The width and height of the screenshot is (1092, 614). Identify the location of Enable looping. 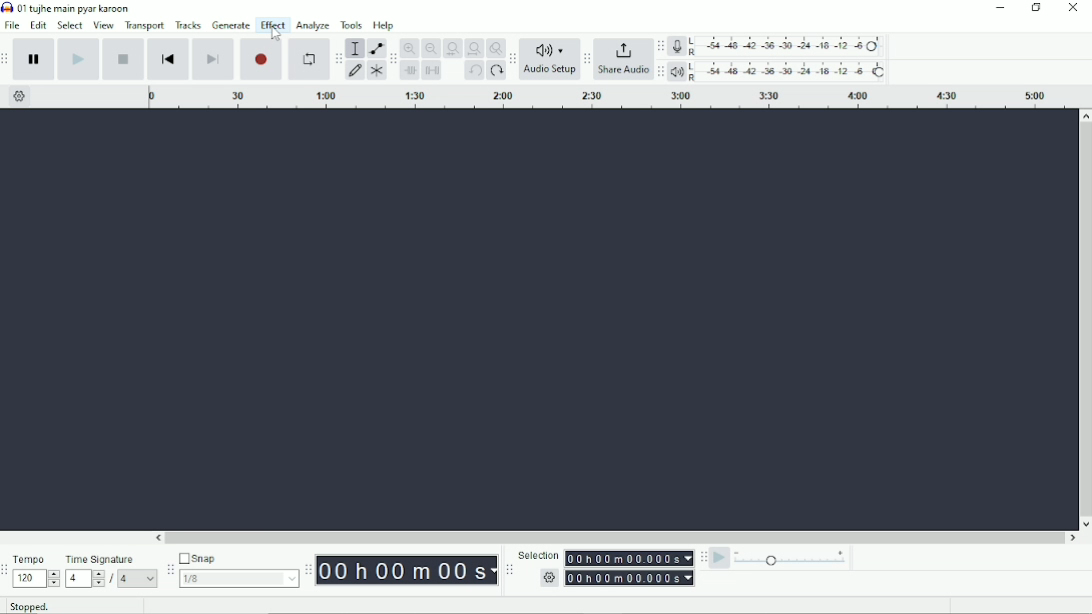
(308, 60).